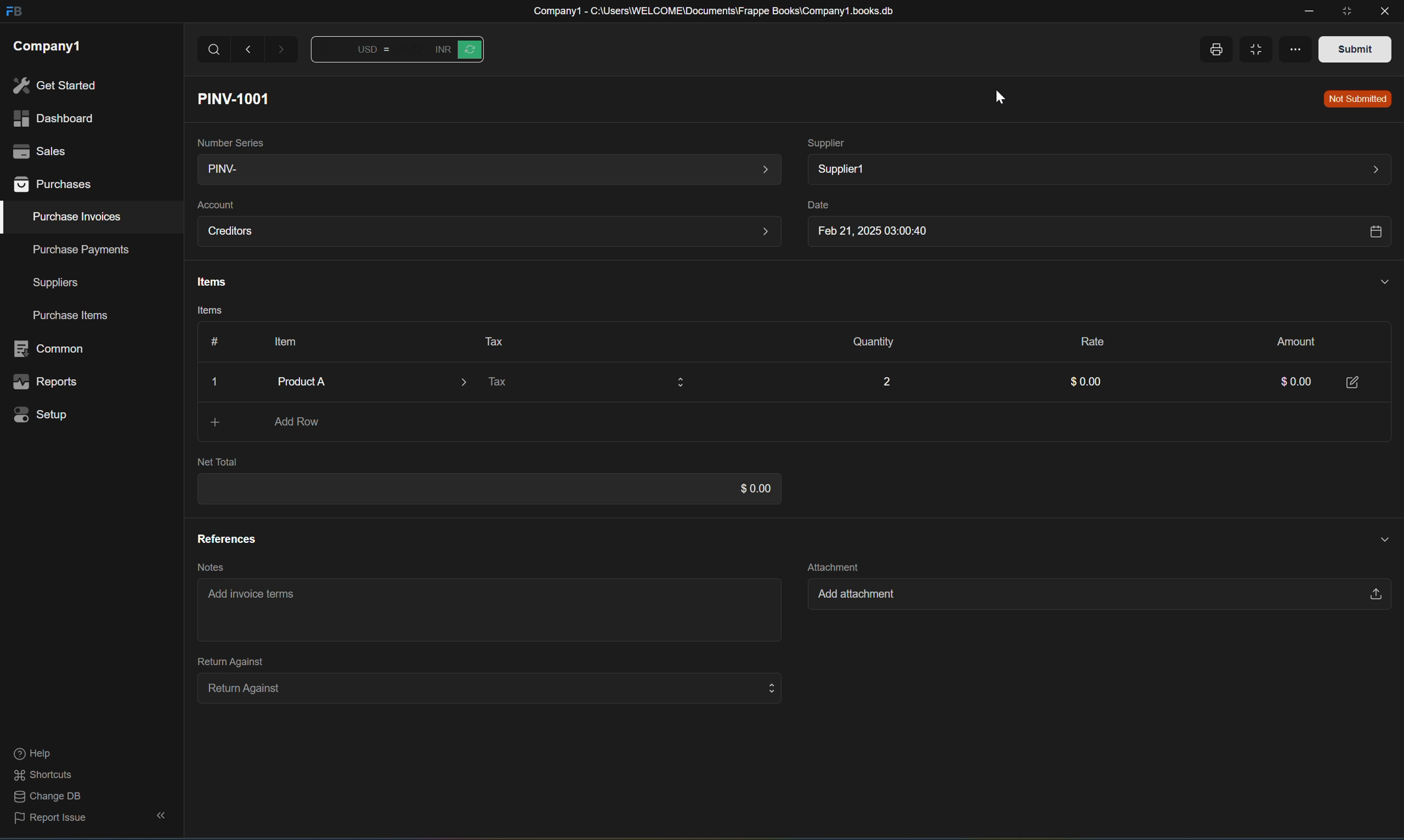  What do you see at coordinates (207, 567) in the screenshot?
I see `Notes` at bounding box center [207, 567].